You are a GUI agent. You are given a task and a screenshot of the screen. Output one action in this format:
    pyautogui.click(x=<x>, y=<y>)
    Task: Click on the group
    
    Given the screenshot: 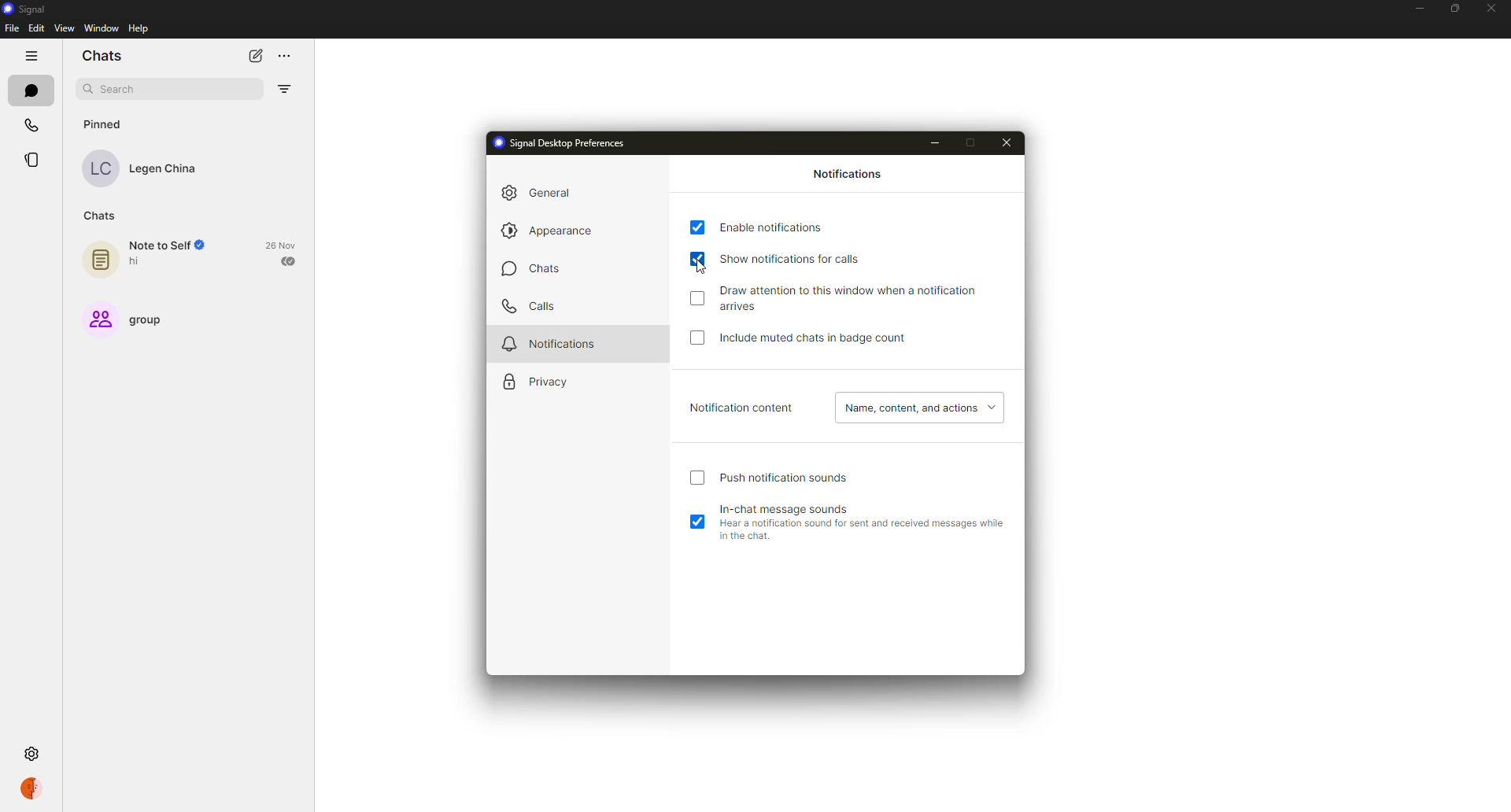 What is the action you would take?
    pyautogui.click(x=130, y=318)
    